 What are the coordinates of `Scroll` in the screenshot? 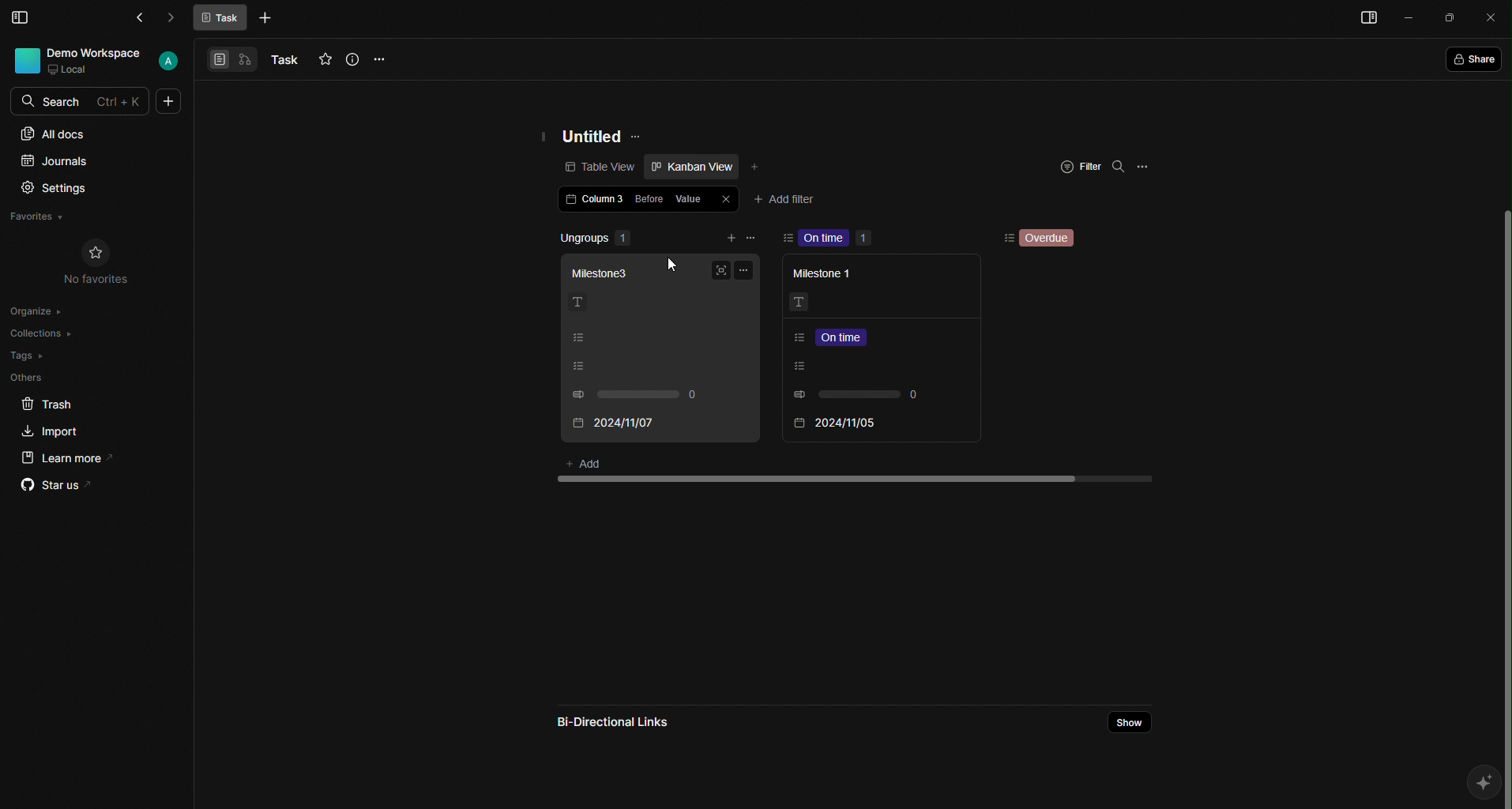 It's located at (1502, 425).